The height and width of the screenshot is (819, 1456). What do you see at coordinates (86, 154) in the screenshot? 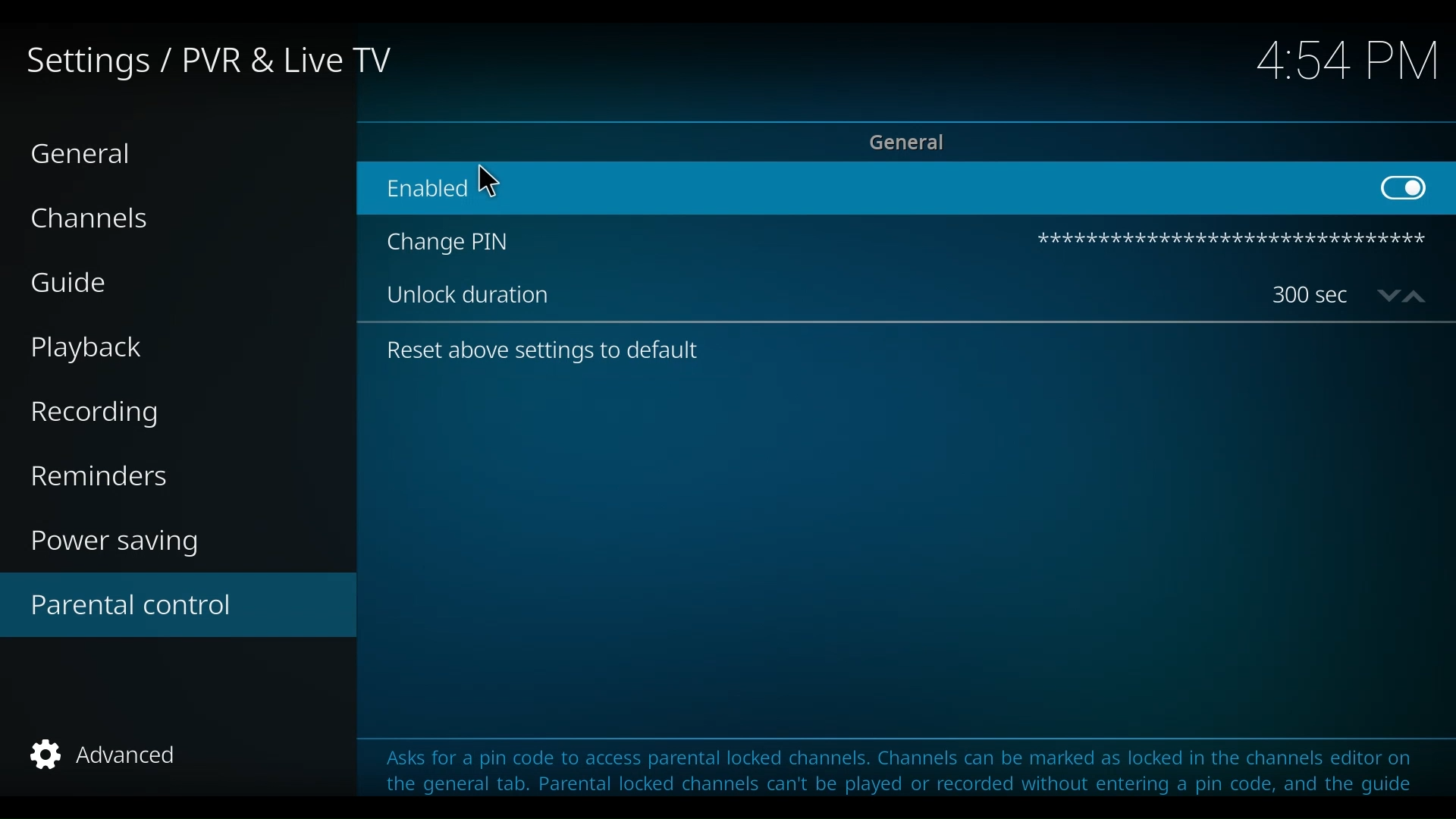
I see `General` at bounding box center [86, 154].